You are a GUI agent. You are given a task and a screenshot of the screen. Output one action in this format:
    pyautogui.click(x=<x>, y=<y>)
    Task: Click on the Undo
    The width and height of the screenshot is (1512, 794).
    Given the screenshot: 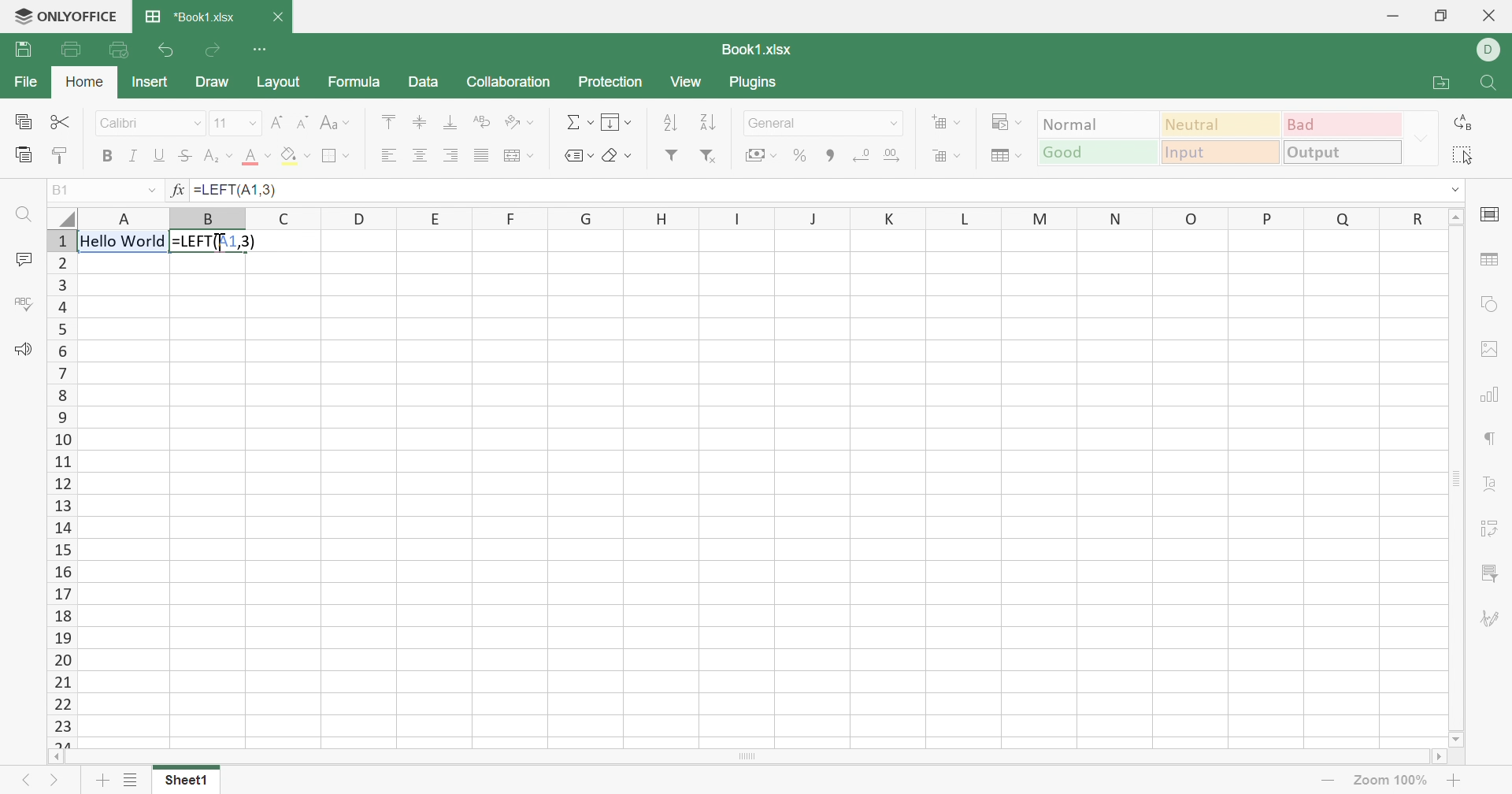 What is the action you would take?
    pyautogui.click(x=165, y=52)
    